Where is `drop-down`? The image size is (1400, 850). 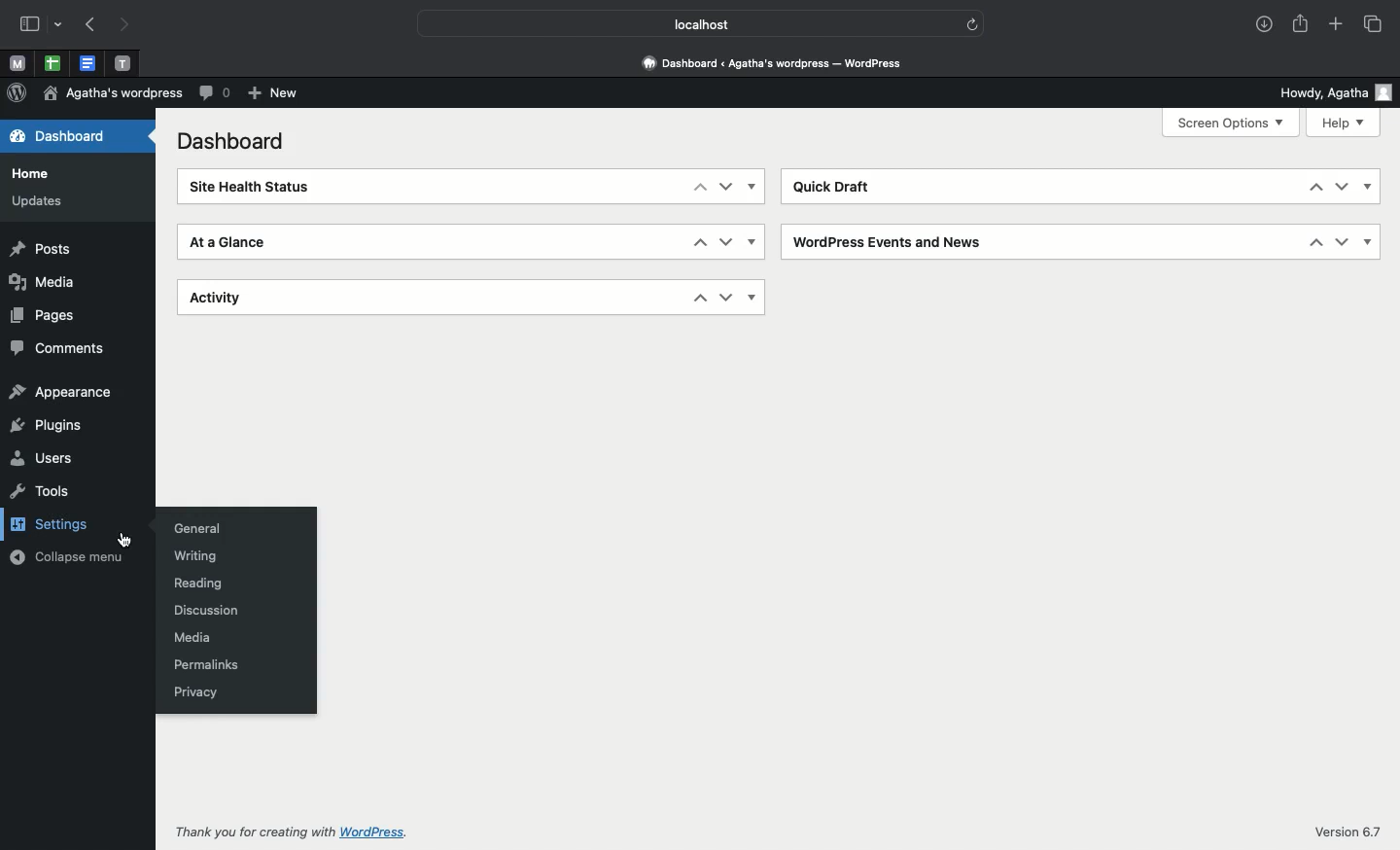
drop-down is located at coordinates (59, 25).